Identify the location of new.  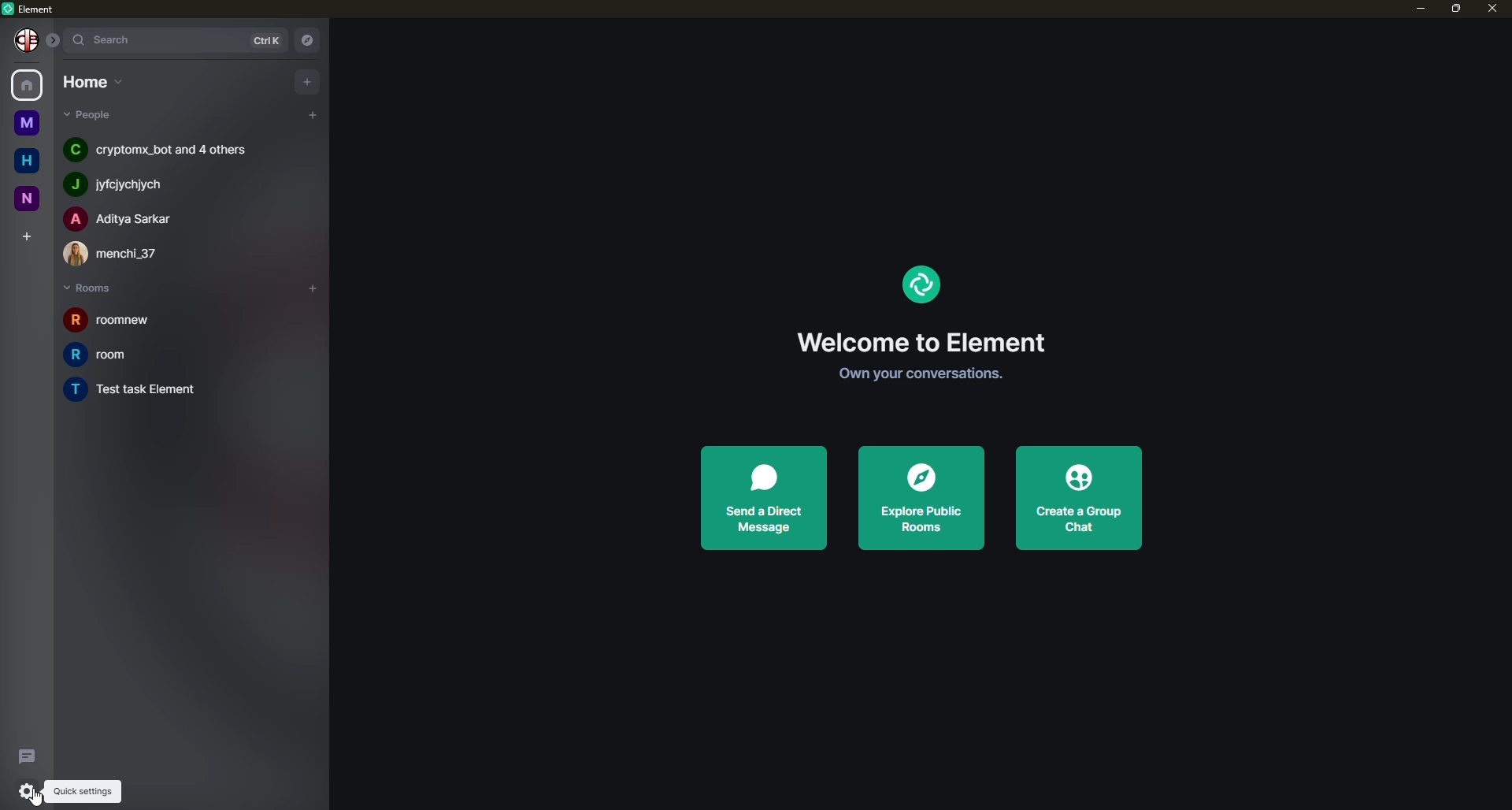
(25, 199).